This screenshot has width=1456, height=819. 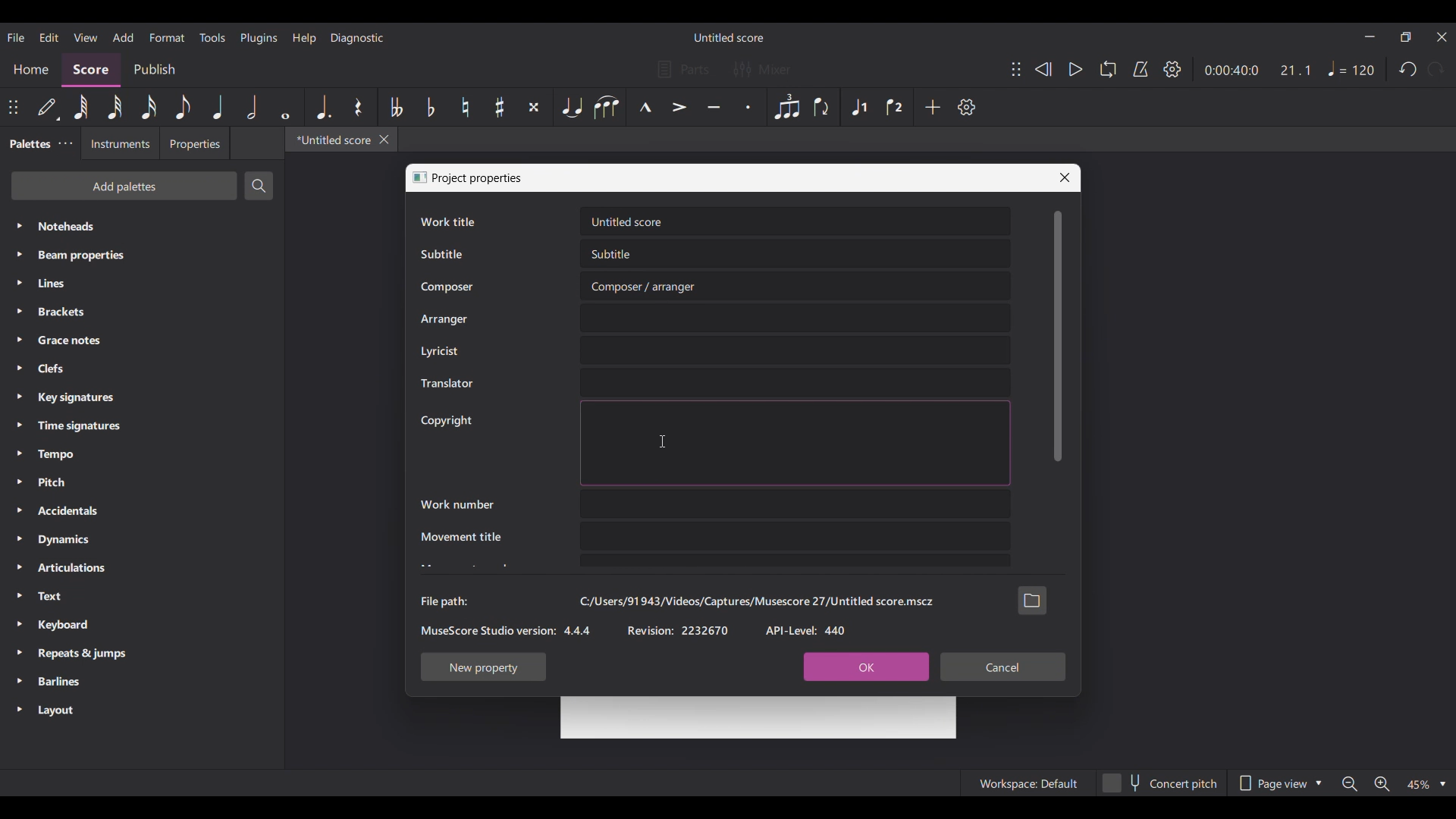 What do you see at coordinates (259, 38) in the screenshot?
I see `Plugins menu` at bounding box center [259, 38].